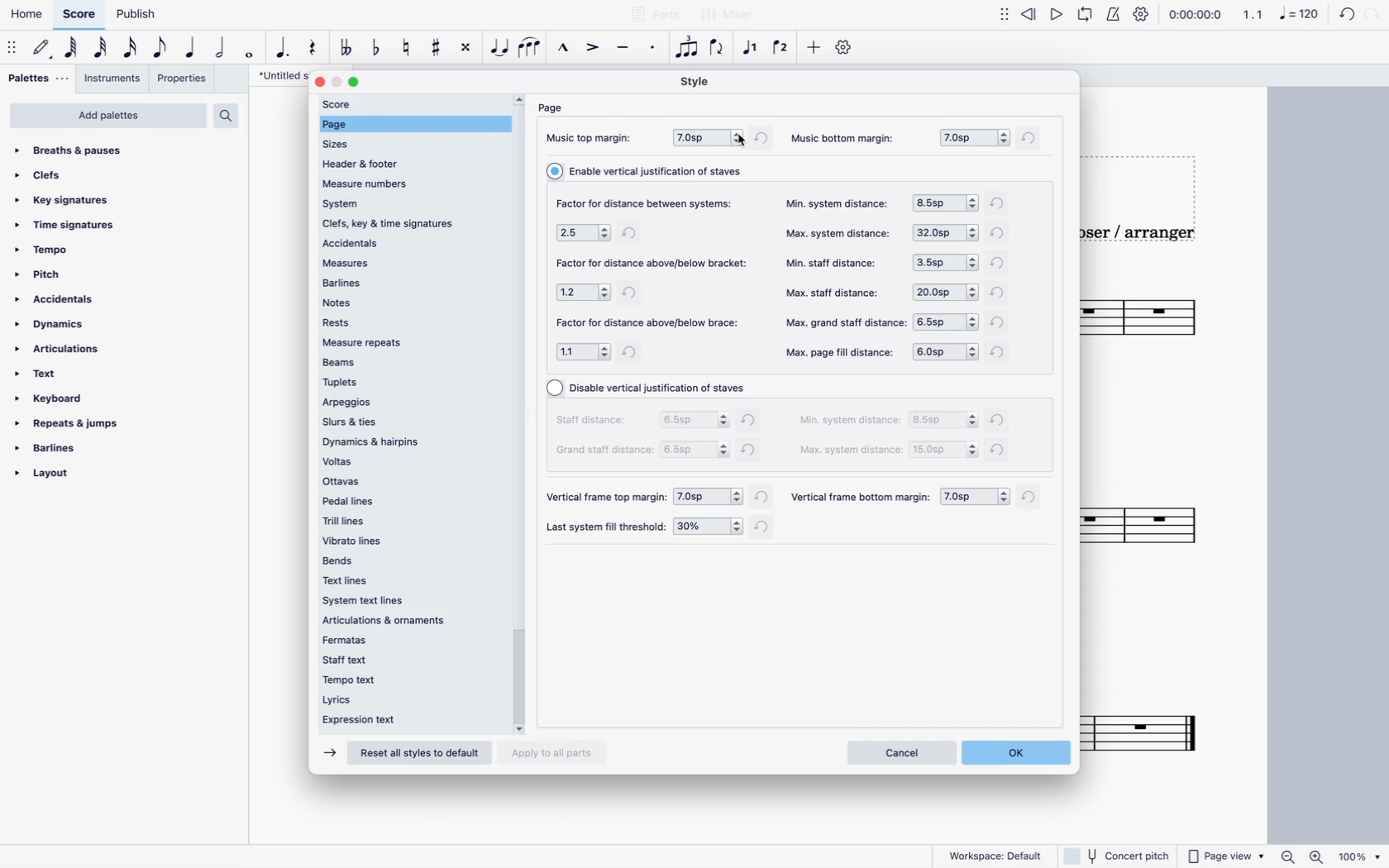 This screenshot has width=1389, height=868. Describe the element at coordinates (633, 292) in the screenshot. I see `refresh` at that location.